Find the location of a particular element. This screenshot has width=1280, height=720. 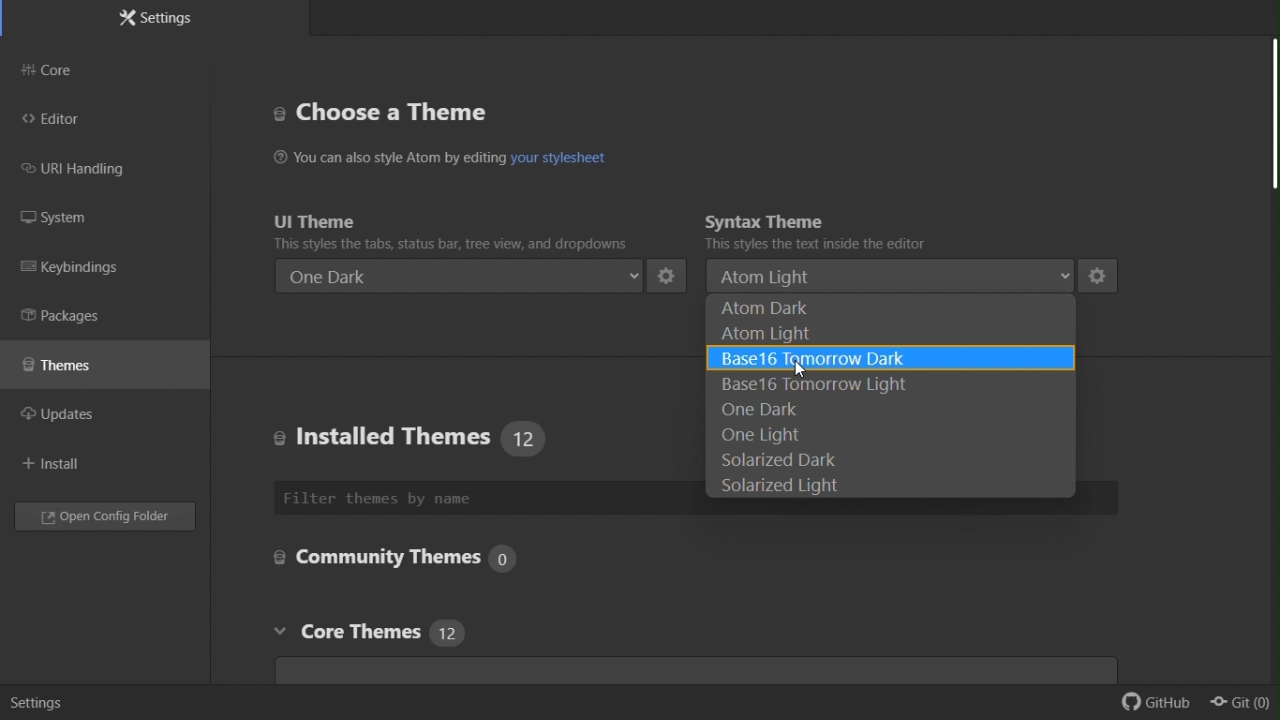

Settings is located at coordinates (154, 18).